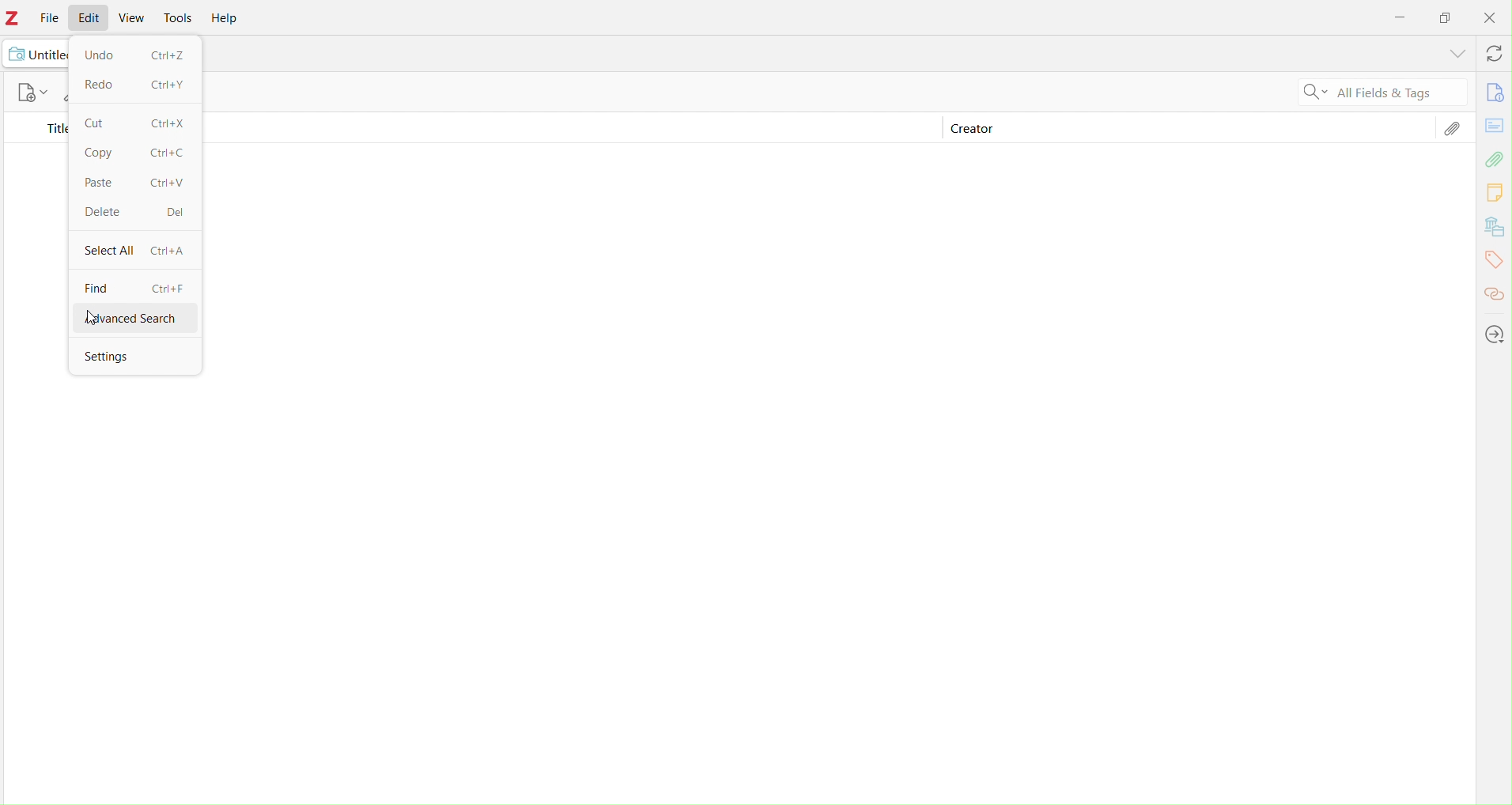 The image size is (1512, 805). Describe the element at coordinates (1492, 93) in the screenshot. I see `Info` at that location.